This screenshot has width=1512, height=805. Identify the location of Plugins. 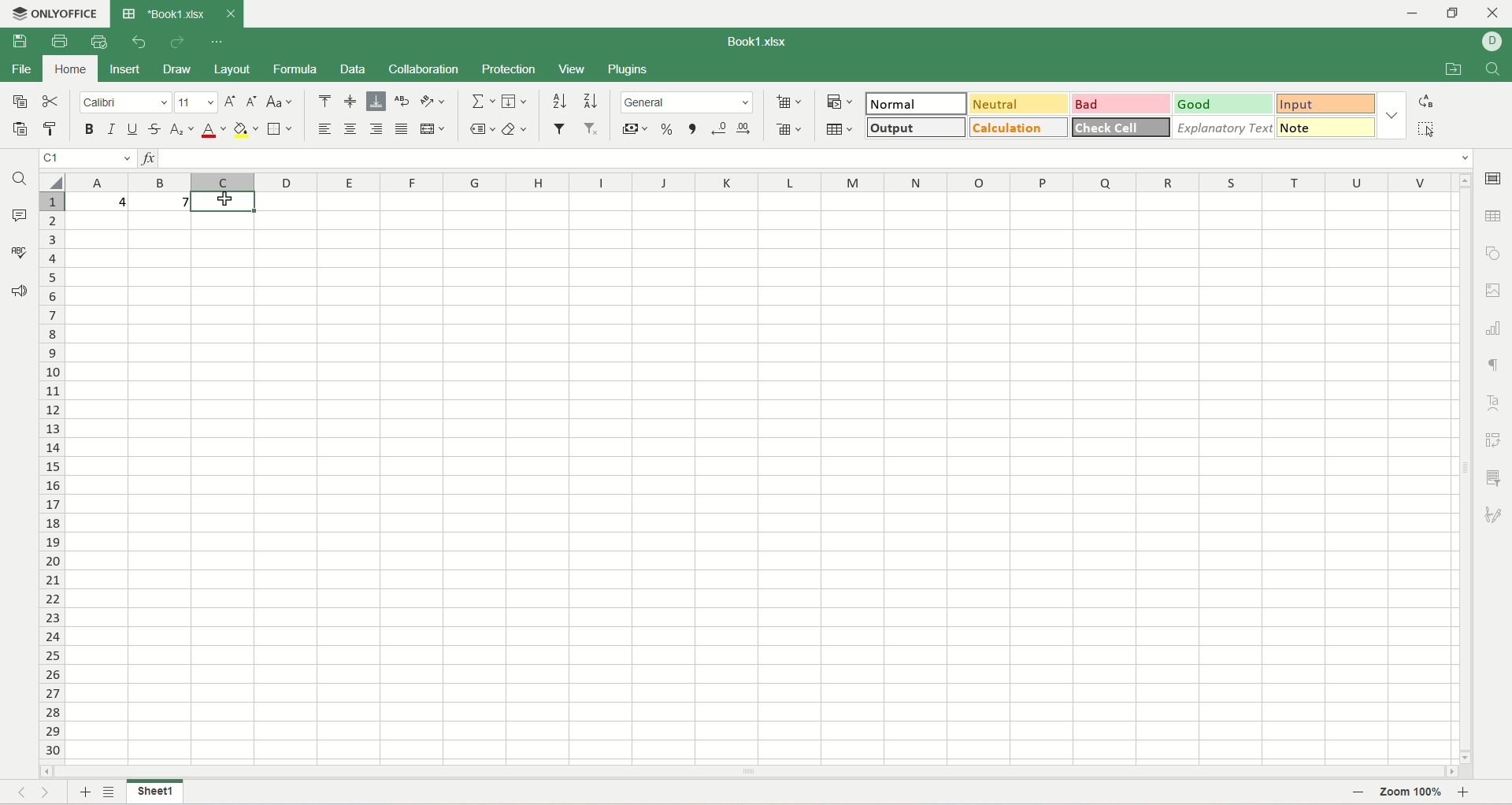
(629, 69).